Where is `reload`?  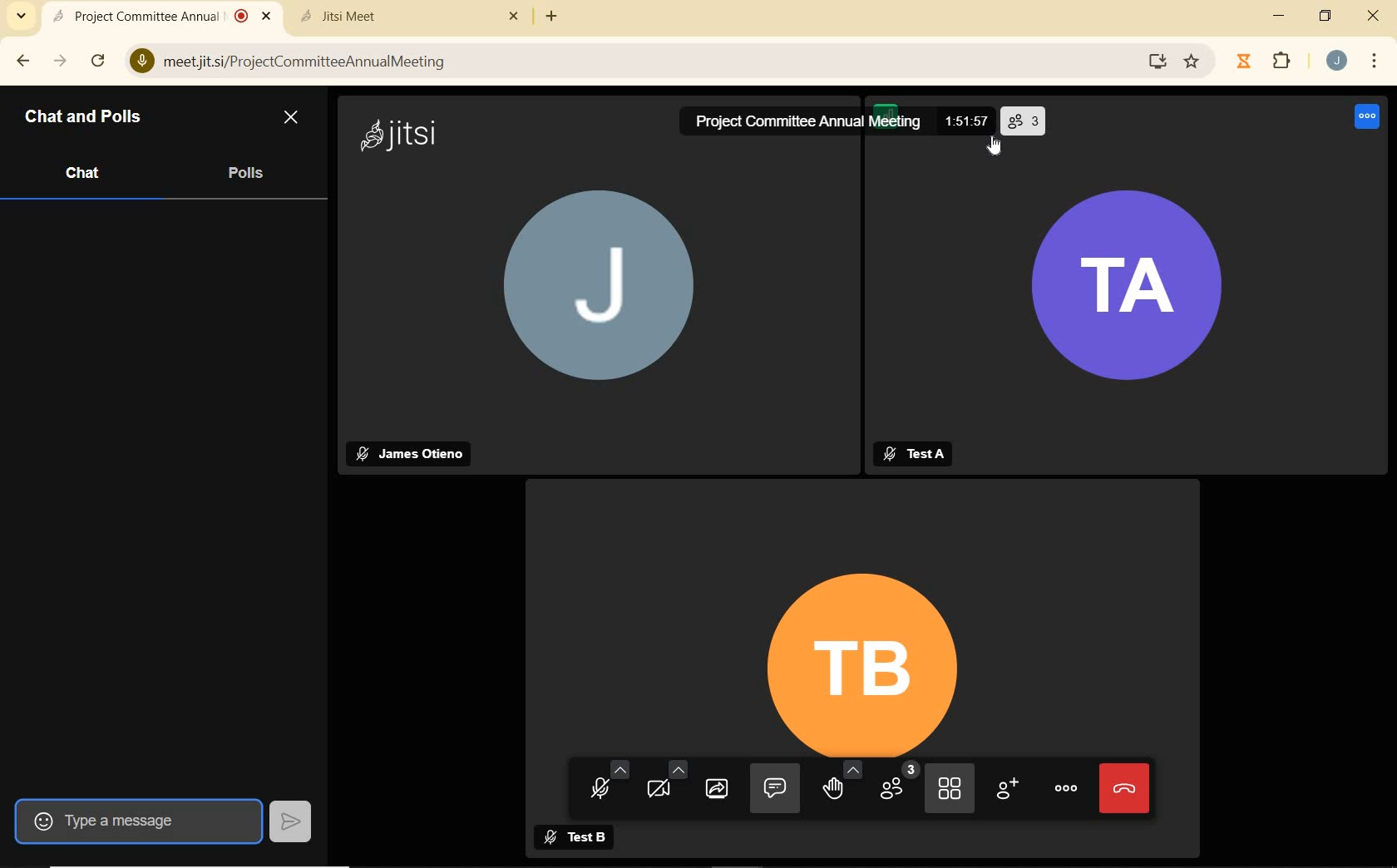
reload is located at coordinates (100, 60).